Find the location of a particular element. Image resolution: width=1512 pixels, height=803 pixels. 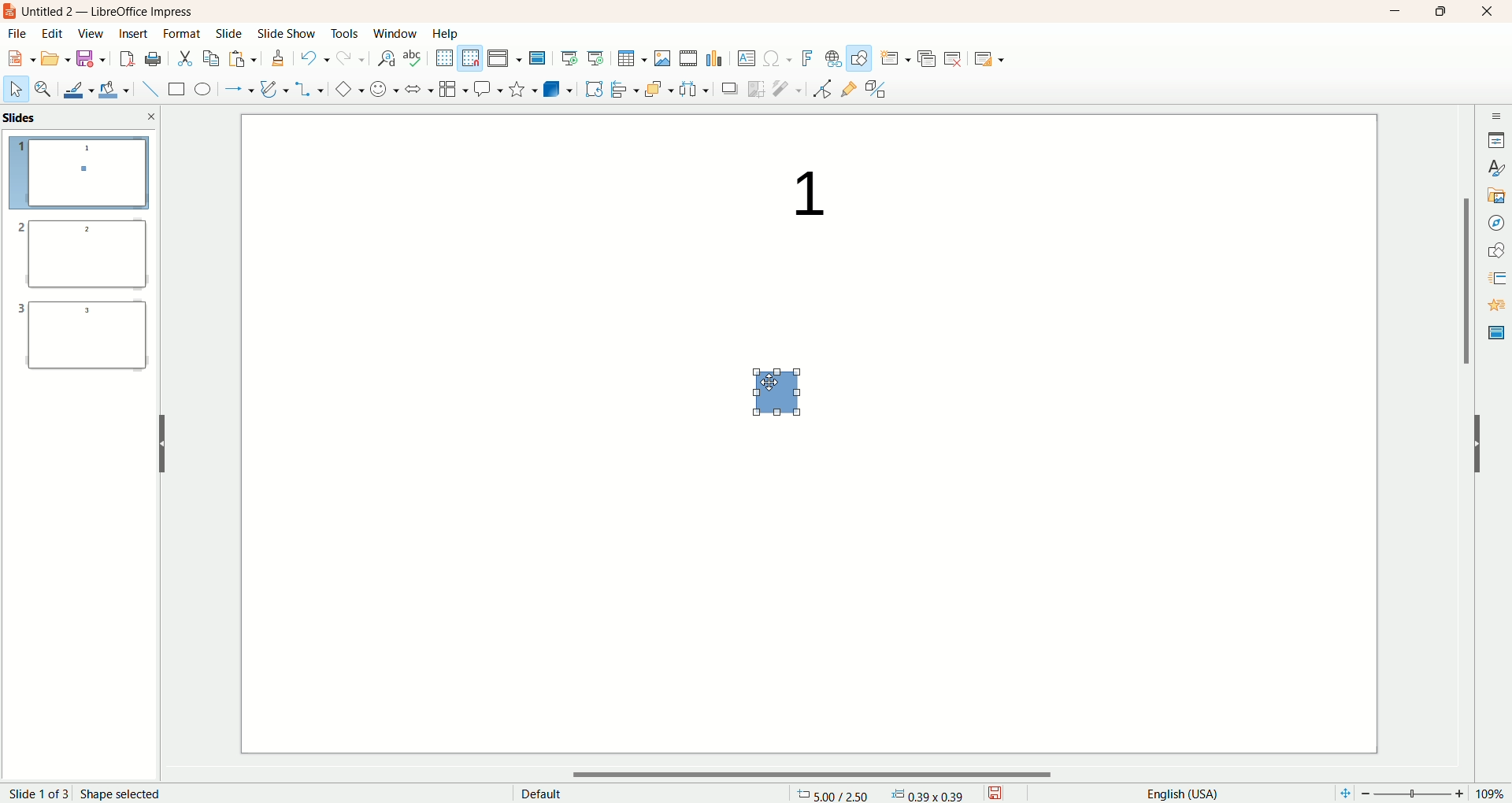

curves and polygon is located at coordinates (272, 87).